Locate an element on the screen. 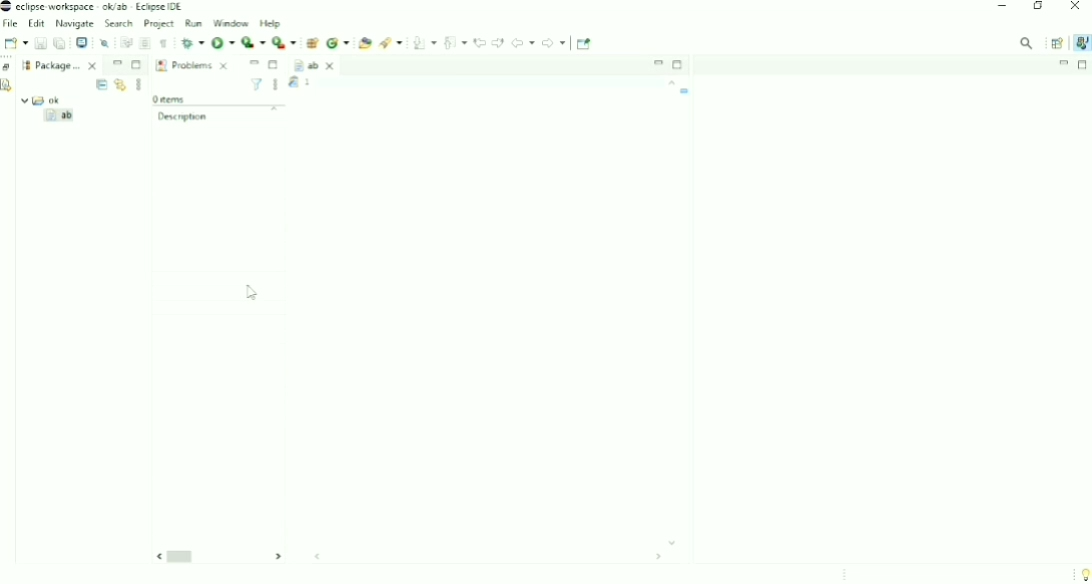  Minimize is located at coordinates (1002, 6).